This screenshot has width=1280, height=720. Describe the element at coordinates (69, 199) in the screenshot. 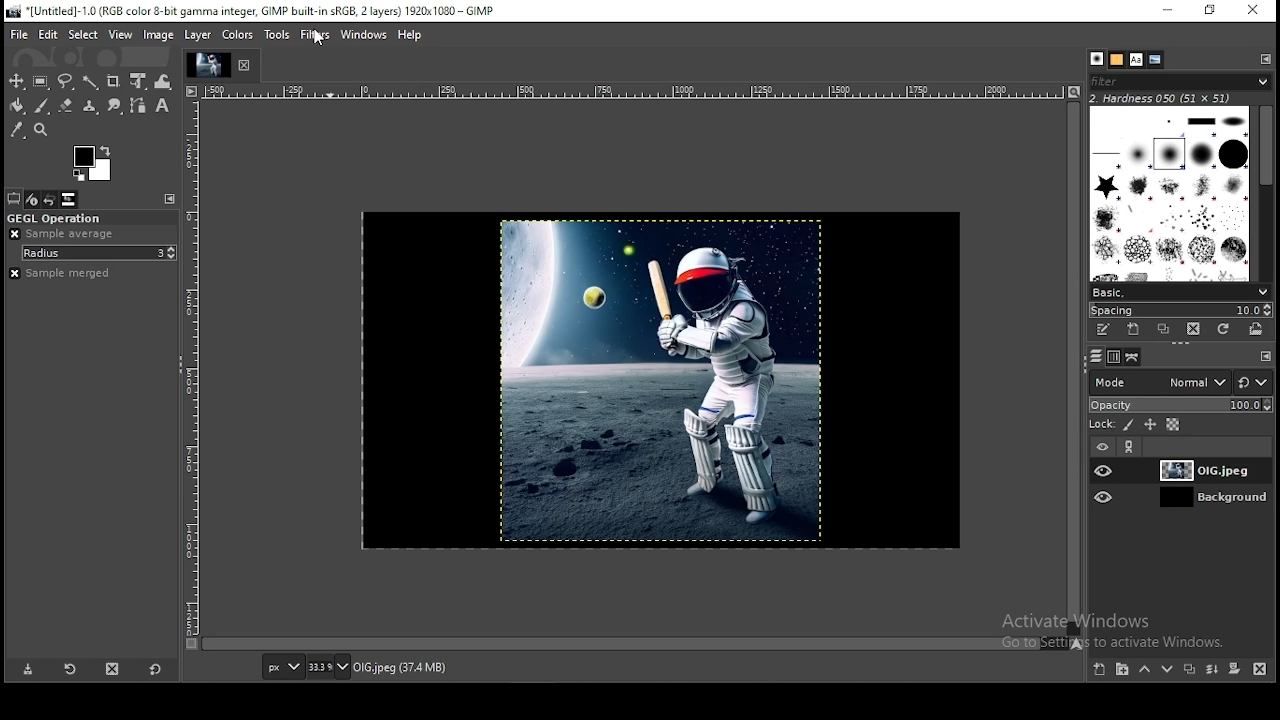

I see `images` at that location.